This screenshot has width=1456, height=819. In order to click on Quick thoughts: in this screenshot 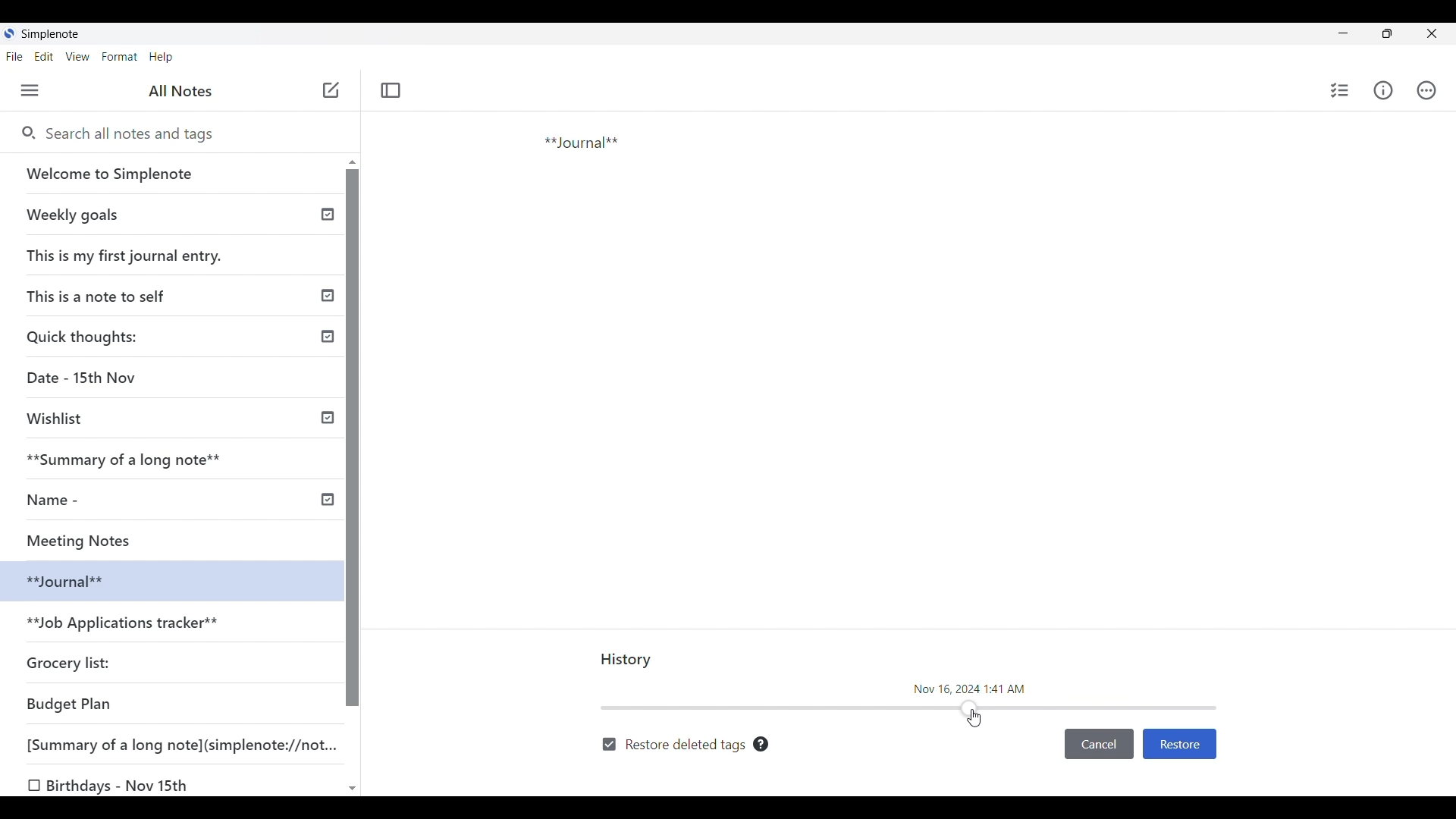, I will do `click(85, 336)`.